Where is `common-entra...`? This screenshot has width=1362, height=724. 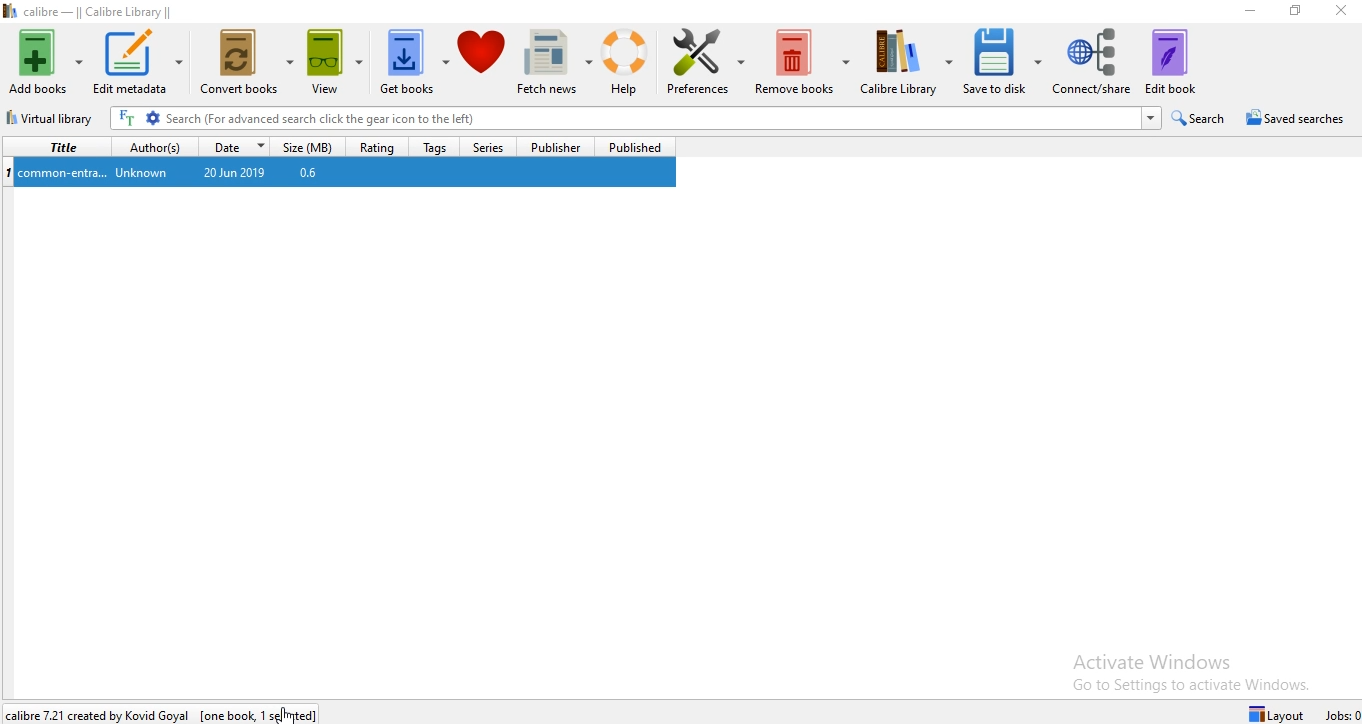
common-entra... is located at coordinates (65, 172).